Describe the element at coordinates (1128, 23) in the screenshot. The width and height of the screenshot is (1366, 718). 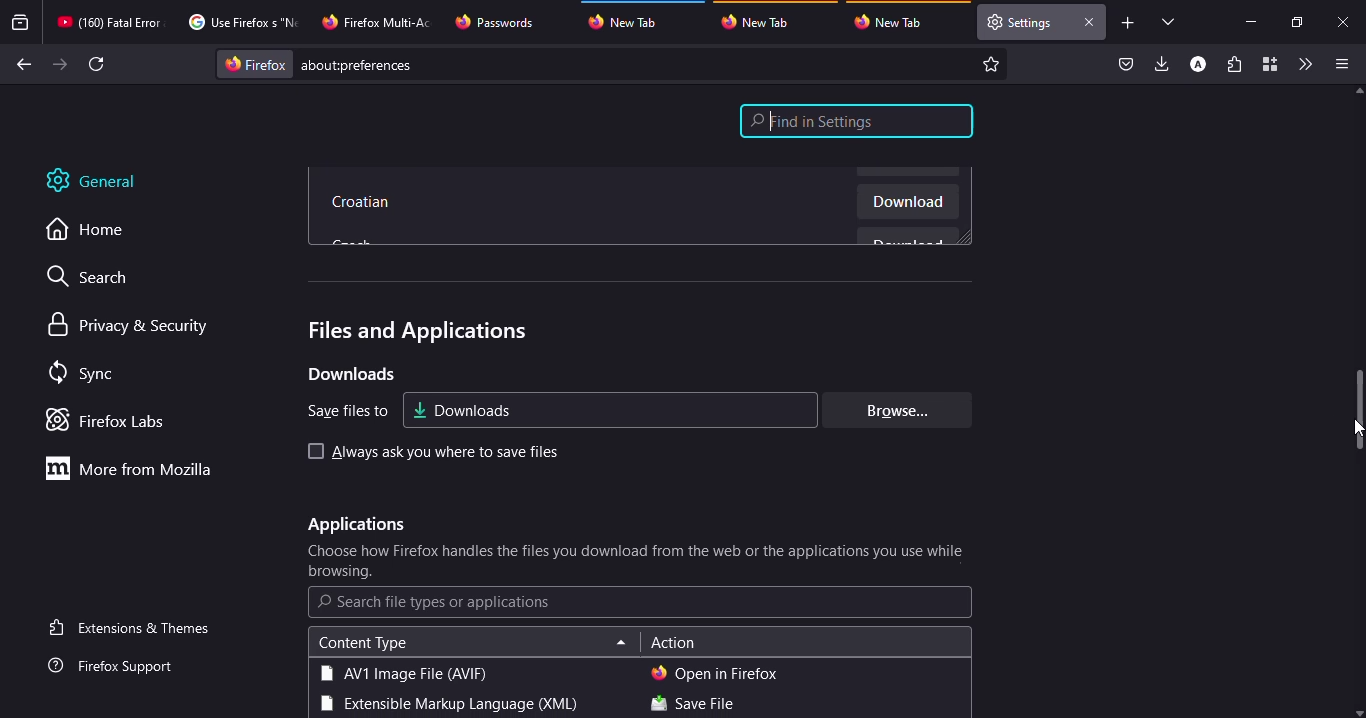
I see `add tab` at that location.